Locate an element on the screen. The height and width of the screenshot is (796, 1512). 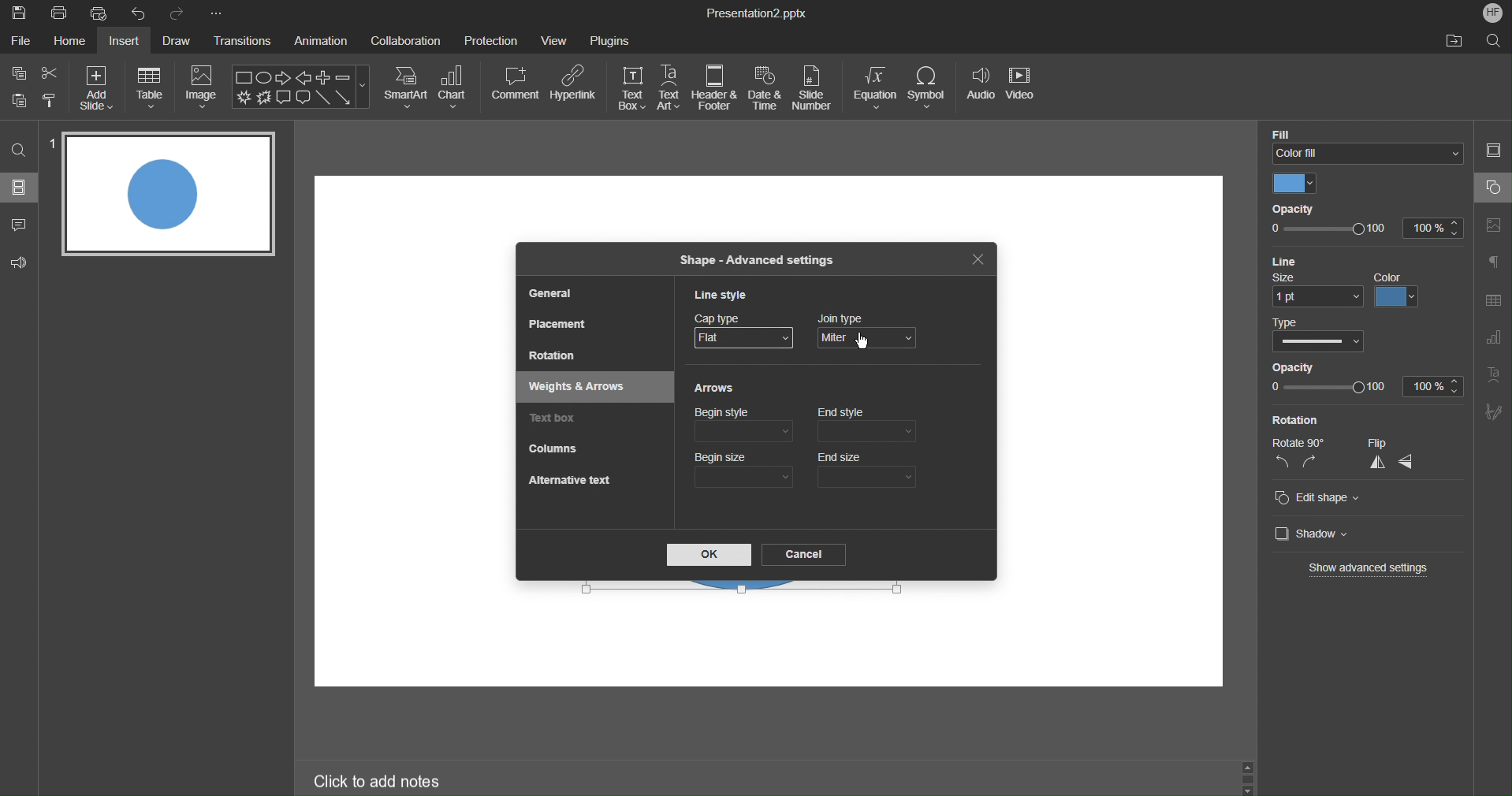
Search is located at coordinates (1494, 40).